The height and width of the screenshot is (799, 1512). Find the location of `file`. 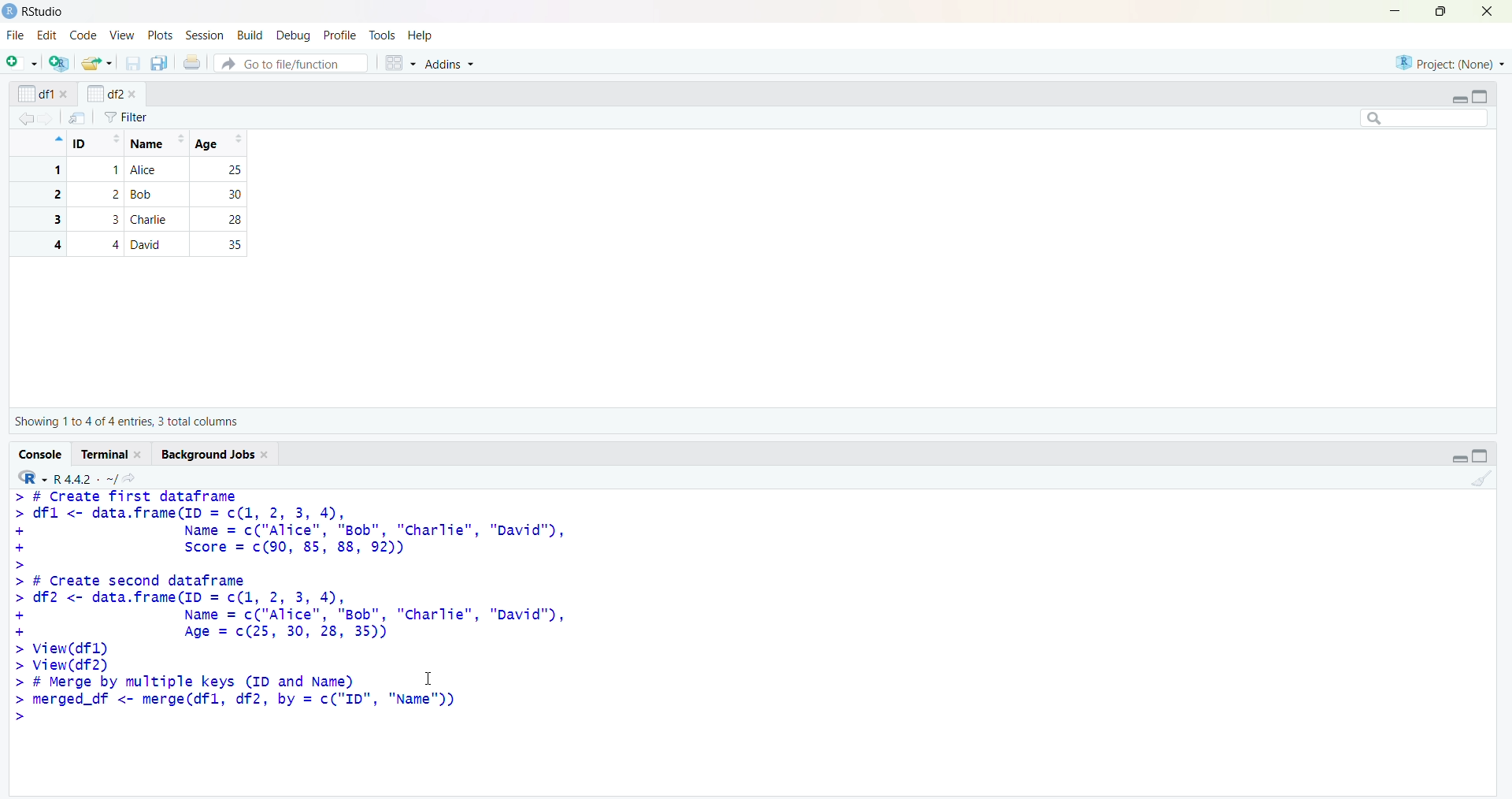

file is located at coordinates (17, 35).